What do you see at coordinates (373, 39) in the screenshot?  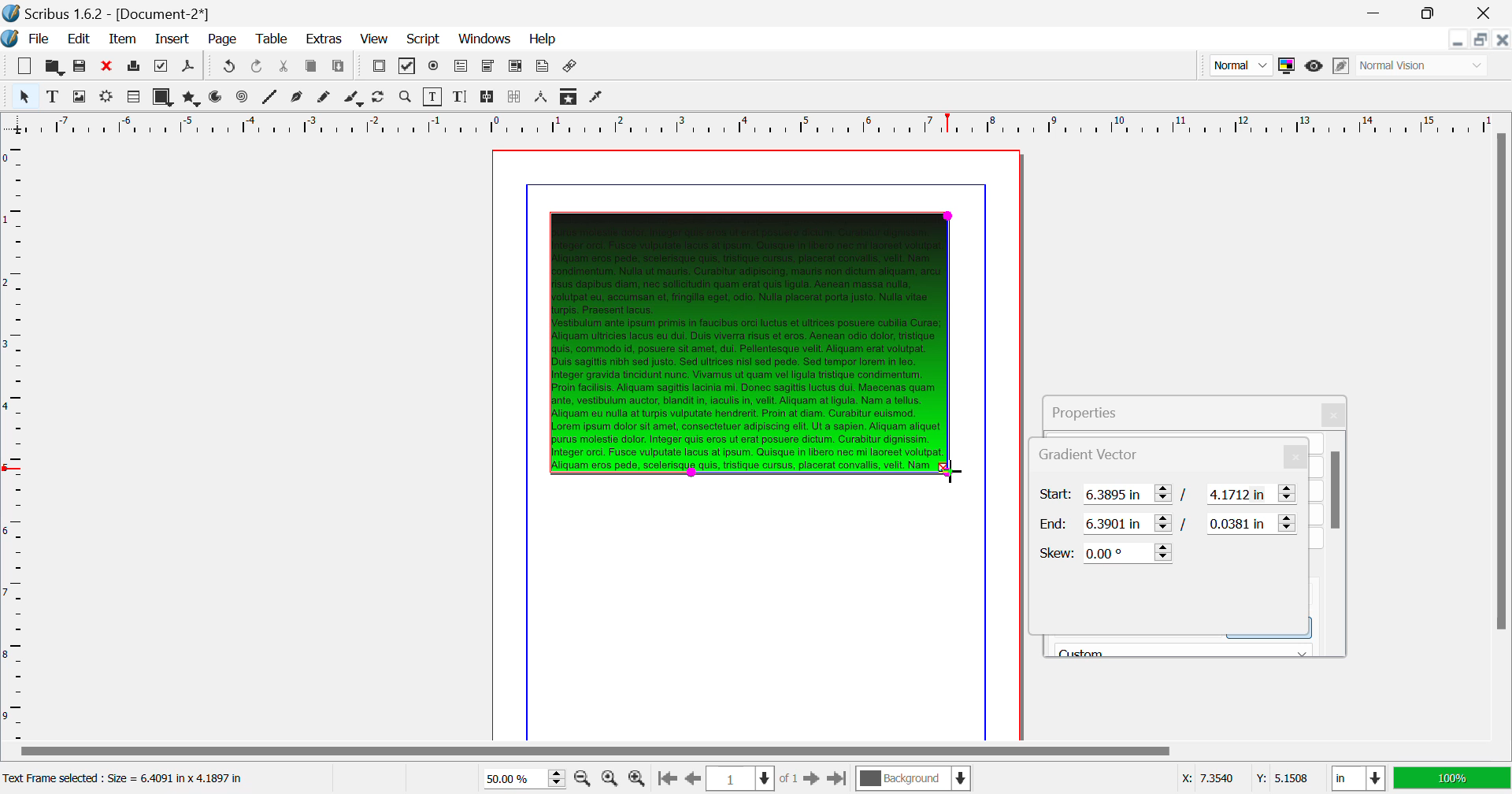 I see `View` at bounding box center [373, 39].